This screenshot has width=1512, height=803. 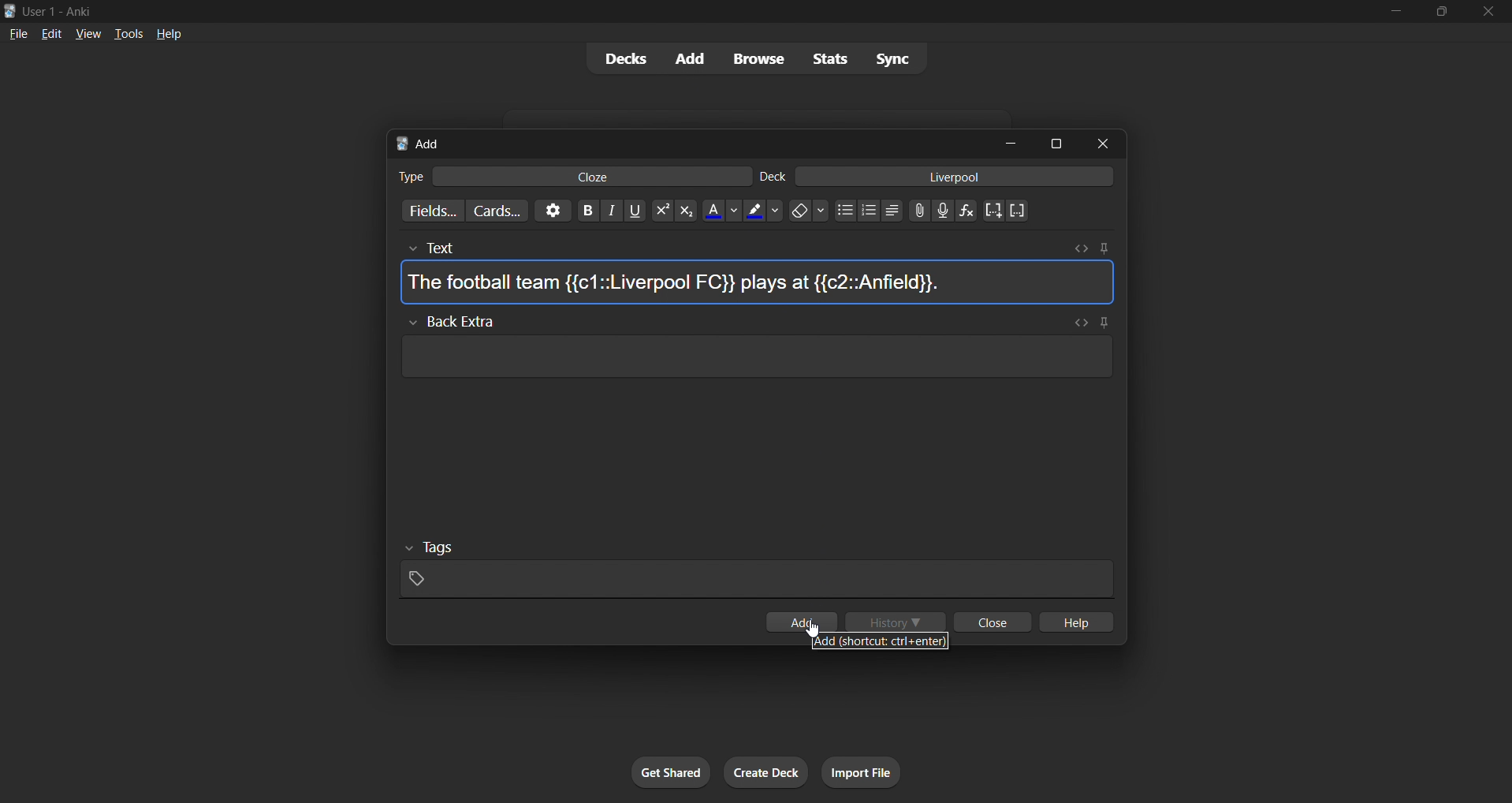 I want to click on edit, so click(x=47, y=33).